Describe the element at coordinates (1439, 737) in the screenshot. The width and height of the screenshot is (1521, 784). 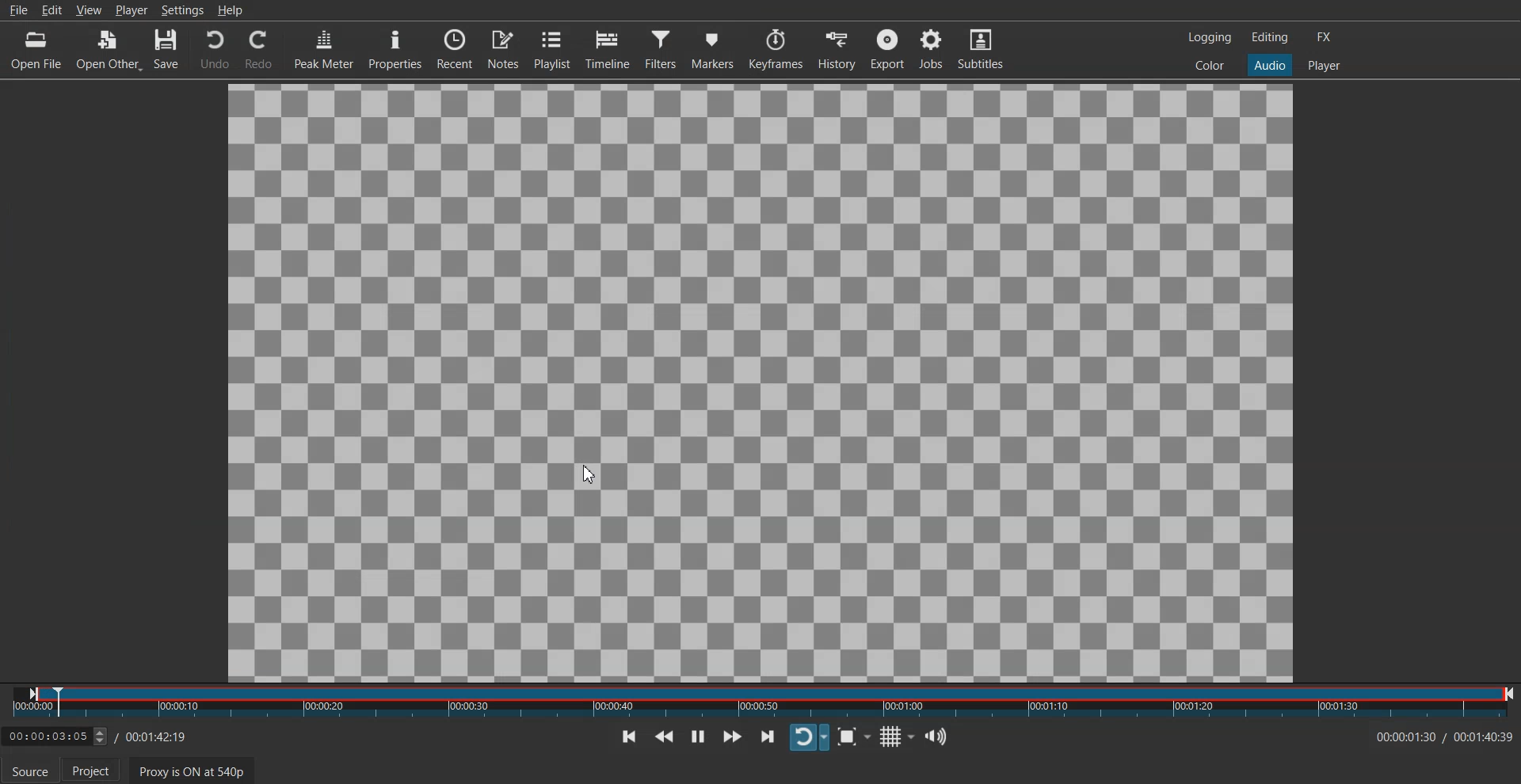
I see `Time` at that location.